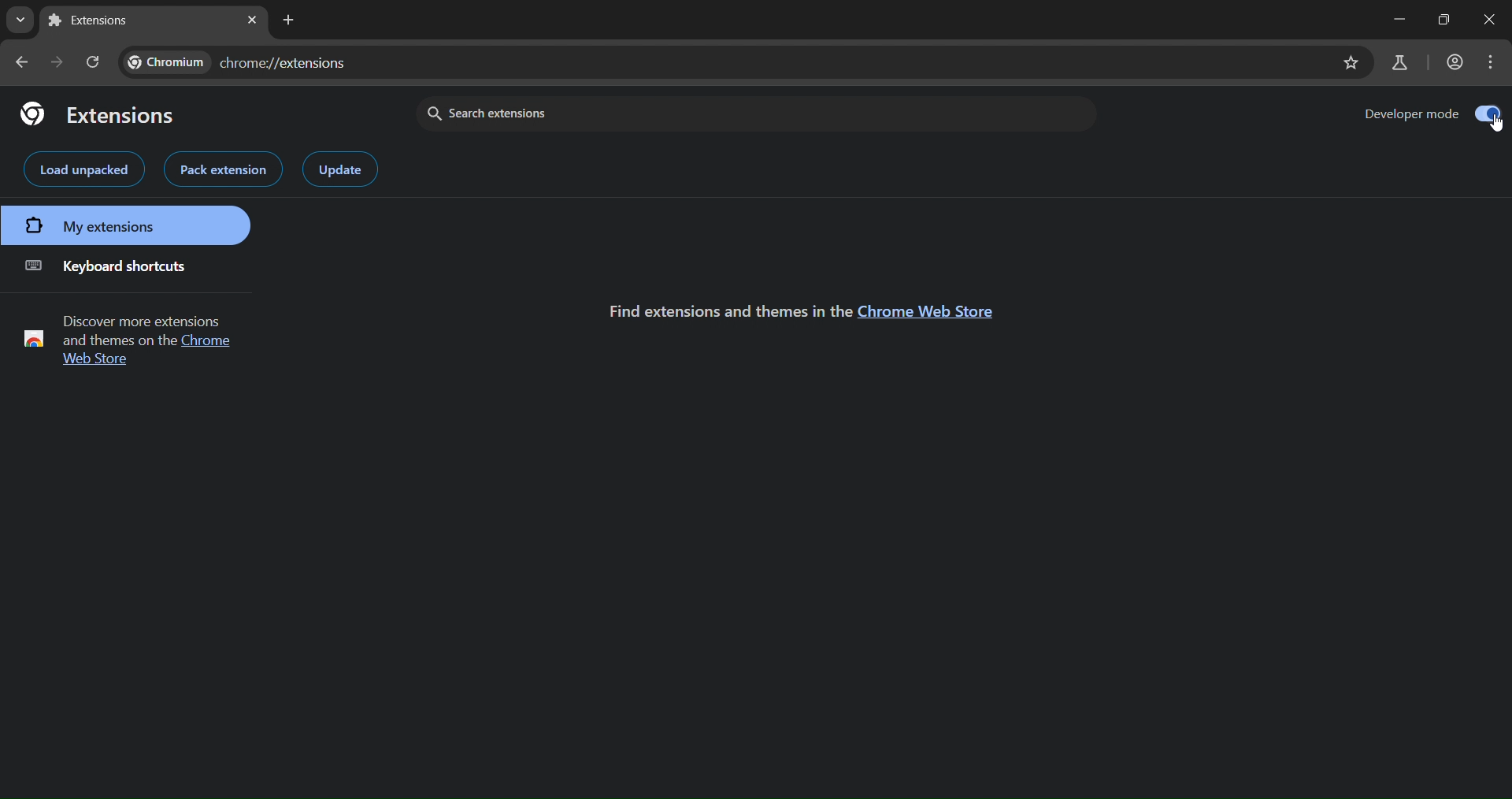 This screenshot has width=1512, height=799. Describe the element at coordinates (935, 313) in the screenshot. I see ` Chrome Web Store` at that location.